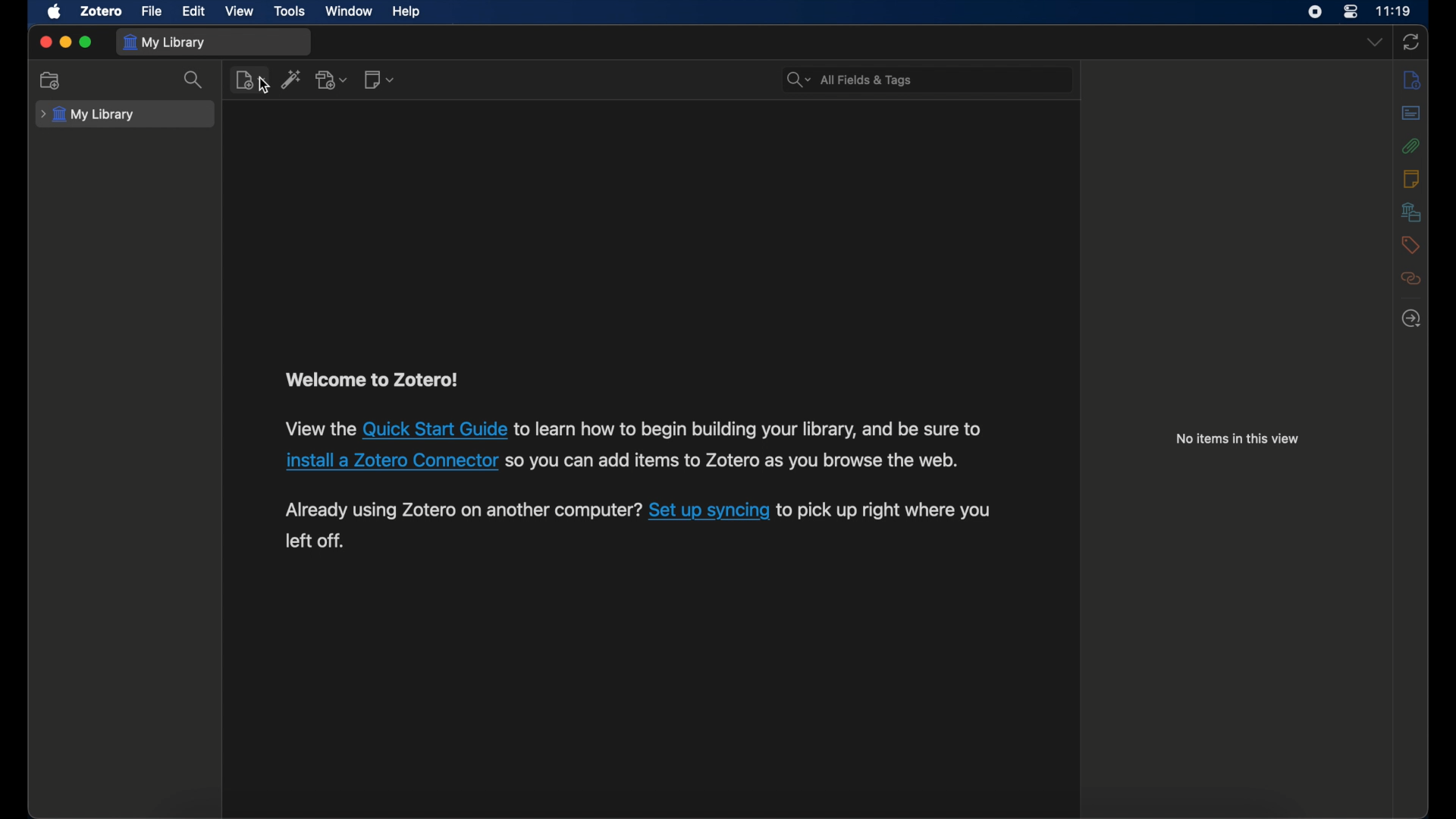 This screenshot has width=1456, height=819. What do you see at coordinates (350, 11) in the screenshot?
I see `window` at bounding box center [350, 11].